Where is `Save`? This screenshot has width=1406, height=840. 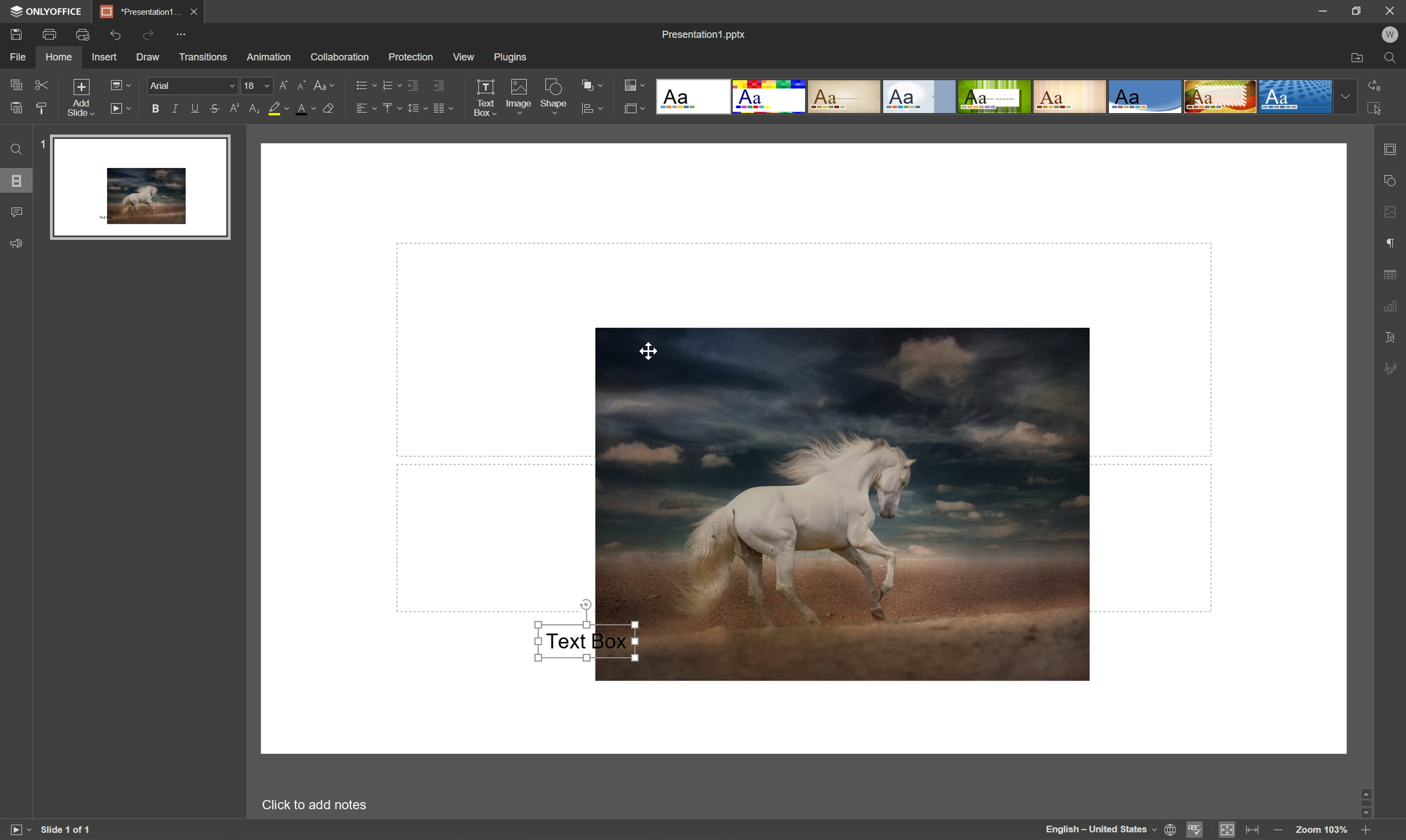 Save is located at coordinates (191, 11).